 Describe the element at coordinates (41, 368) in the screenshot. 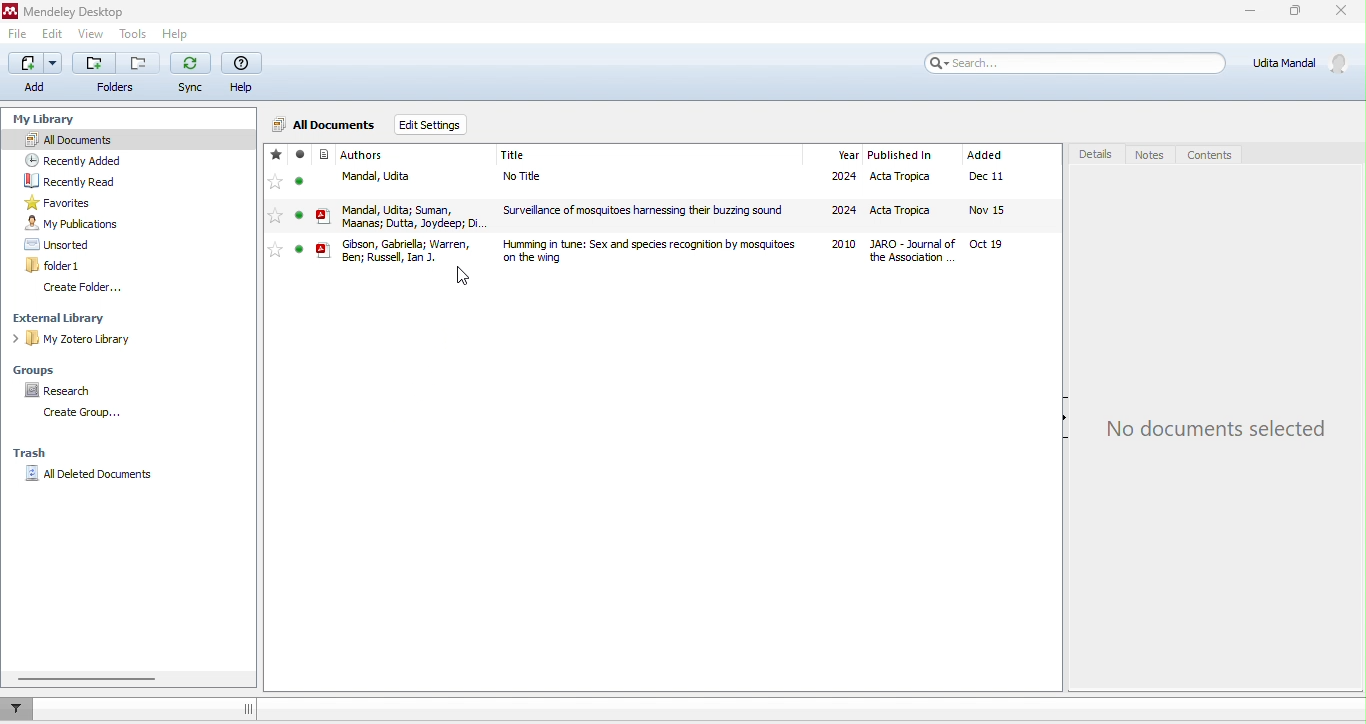

I see `groups` at that location.